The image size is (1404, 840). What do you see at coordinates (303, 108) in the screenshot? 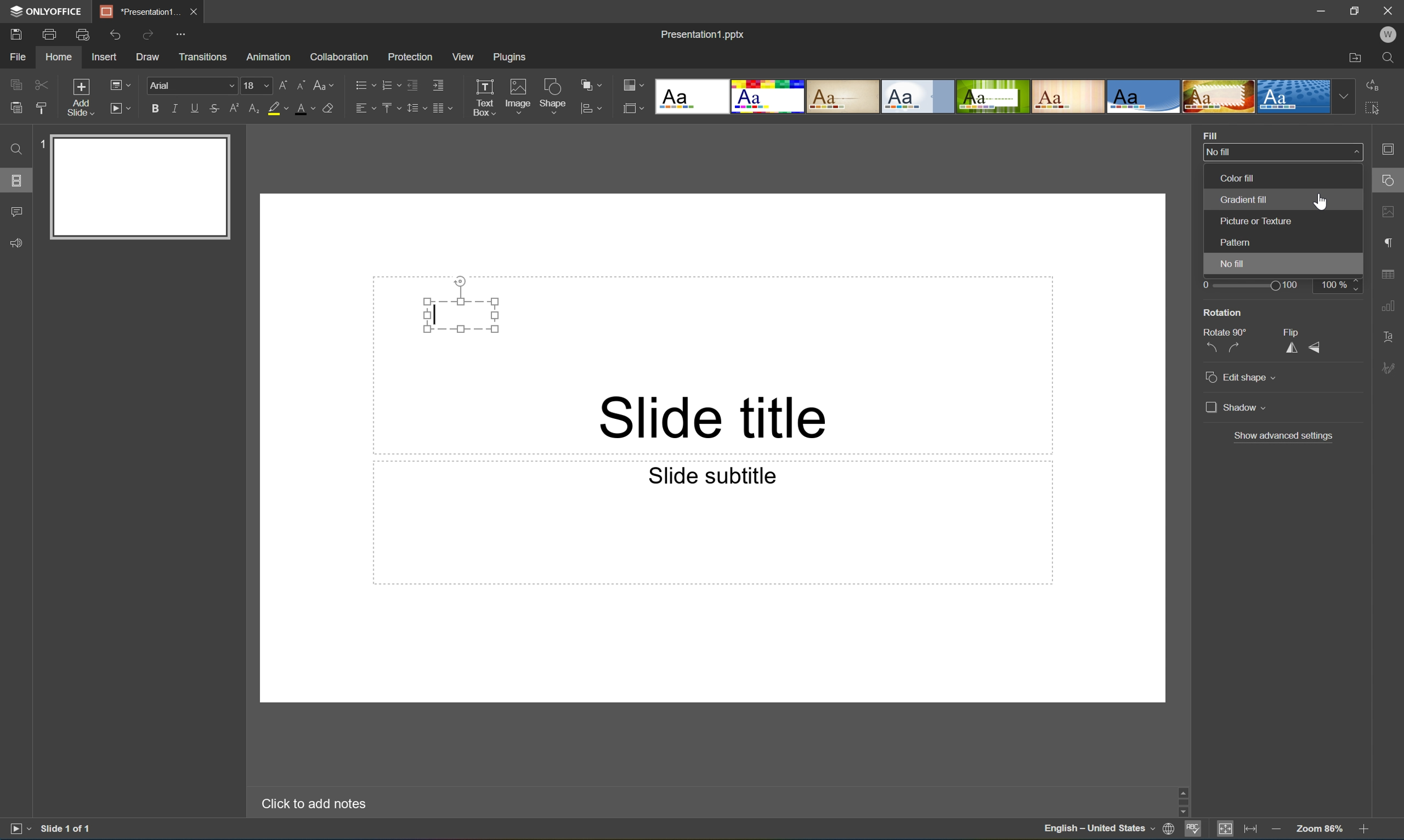
I see `Font color` at bounding box center [303, 108].